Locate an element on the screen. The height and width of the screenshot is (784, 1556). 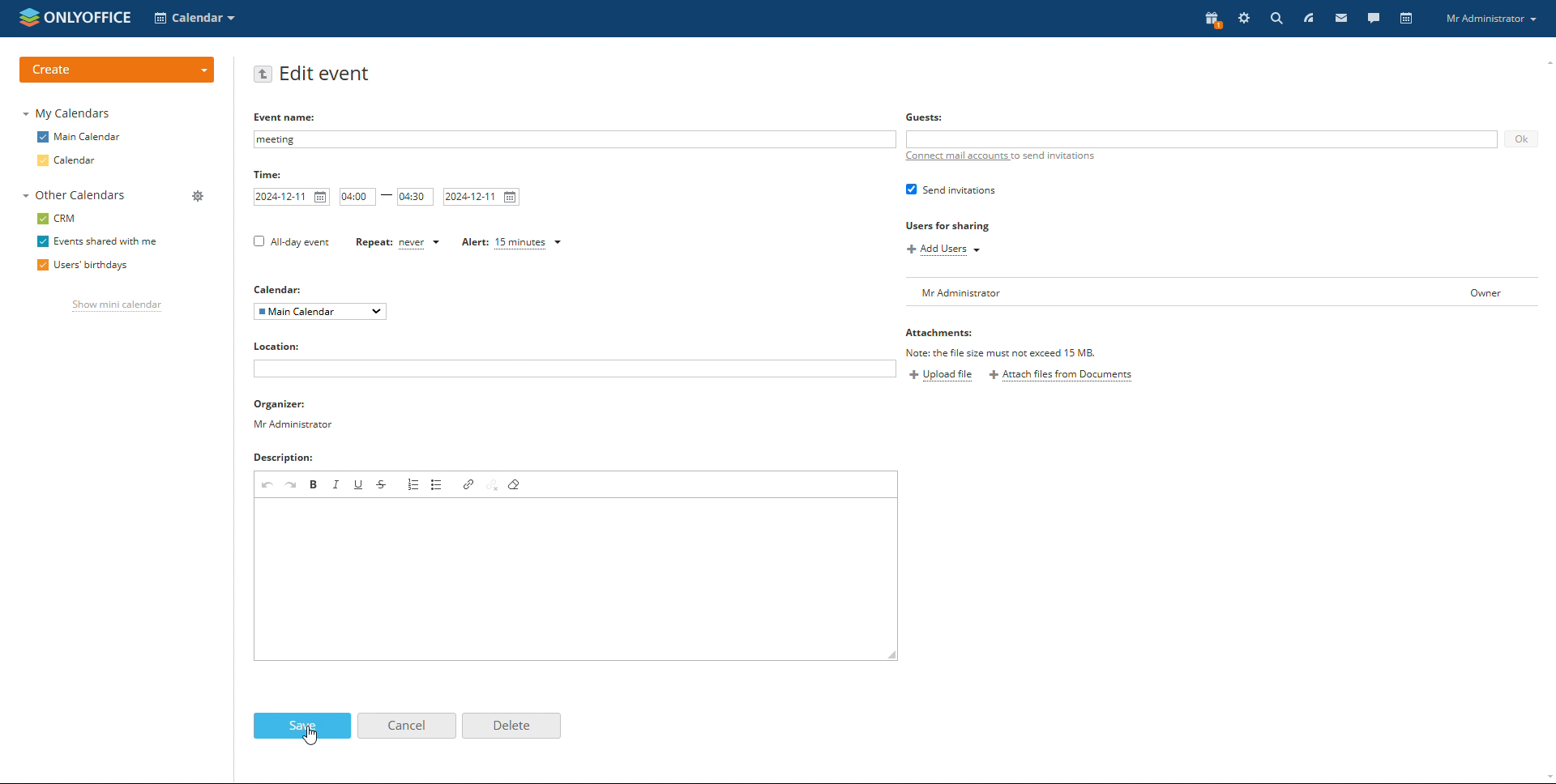
connect mail accounts is located at coordinates (1003, 157).